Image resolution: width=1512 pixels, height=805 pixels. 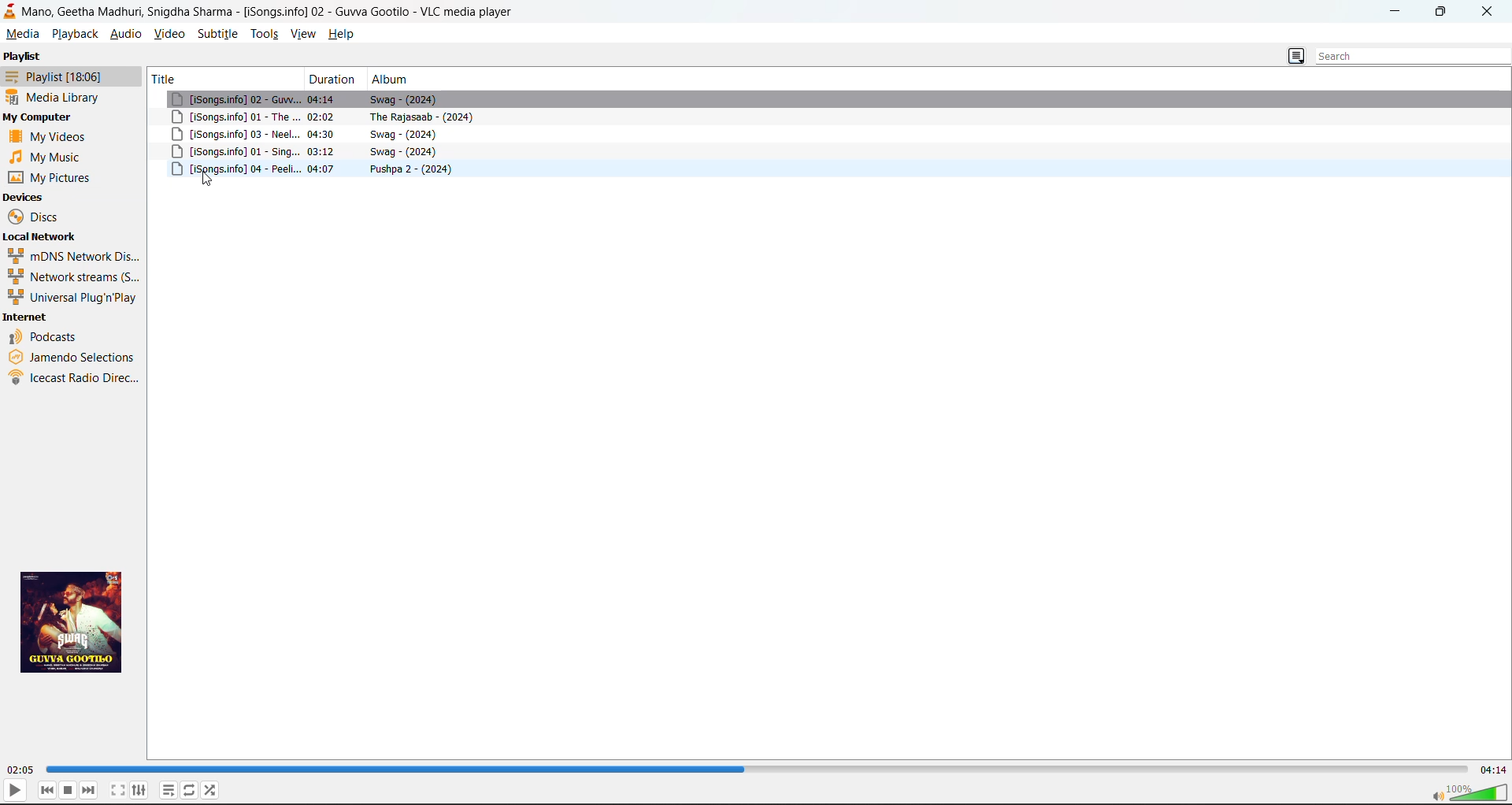 I want to click on video, so click(x=169, y=33).